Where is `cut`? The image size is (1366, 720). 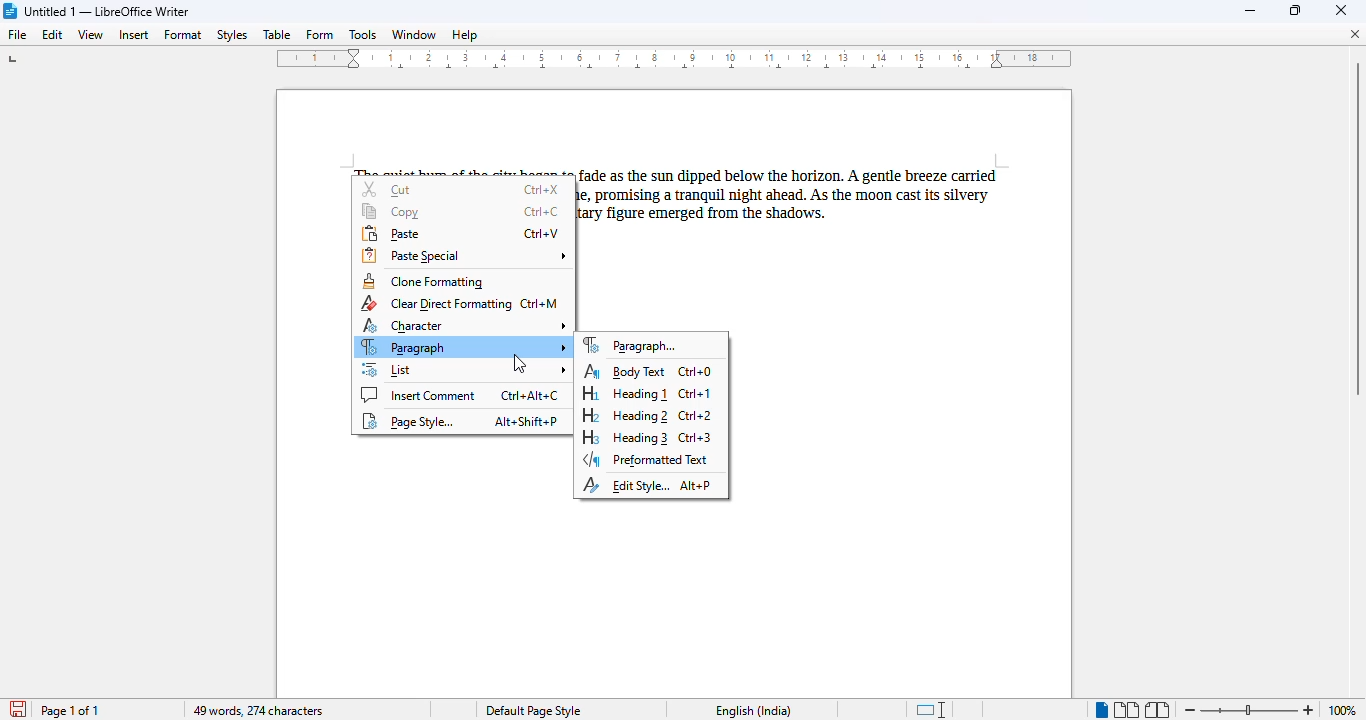 cut is located at coordinates (462, 190).